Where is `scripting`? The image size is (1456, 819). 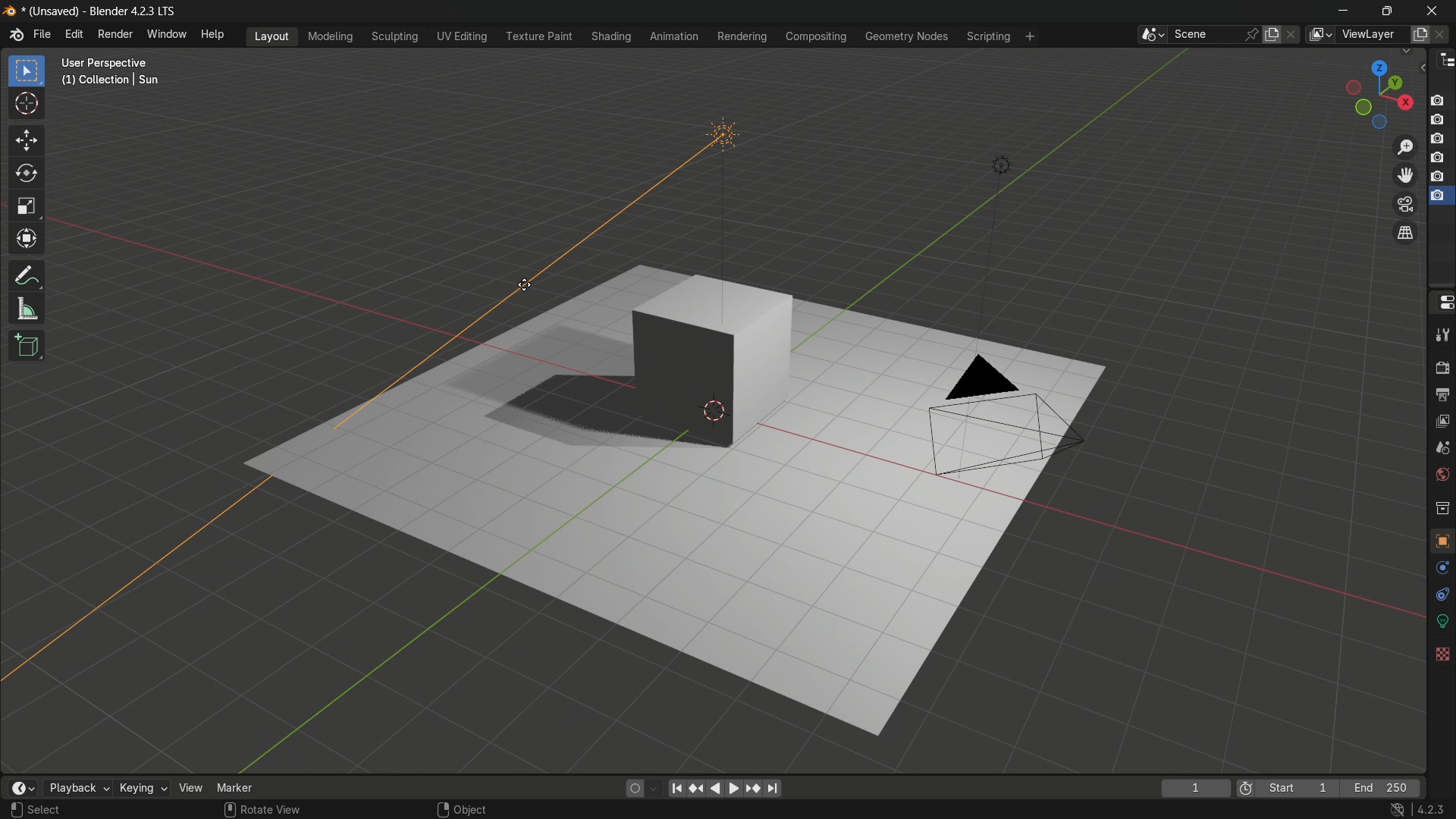 scripting is located at coordinates (988, 36).